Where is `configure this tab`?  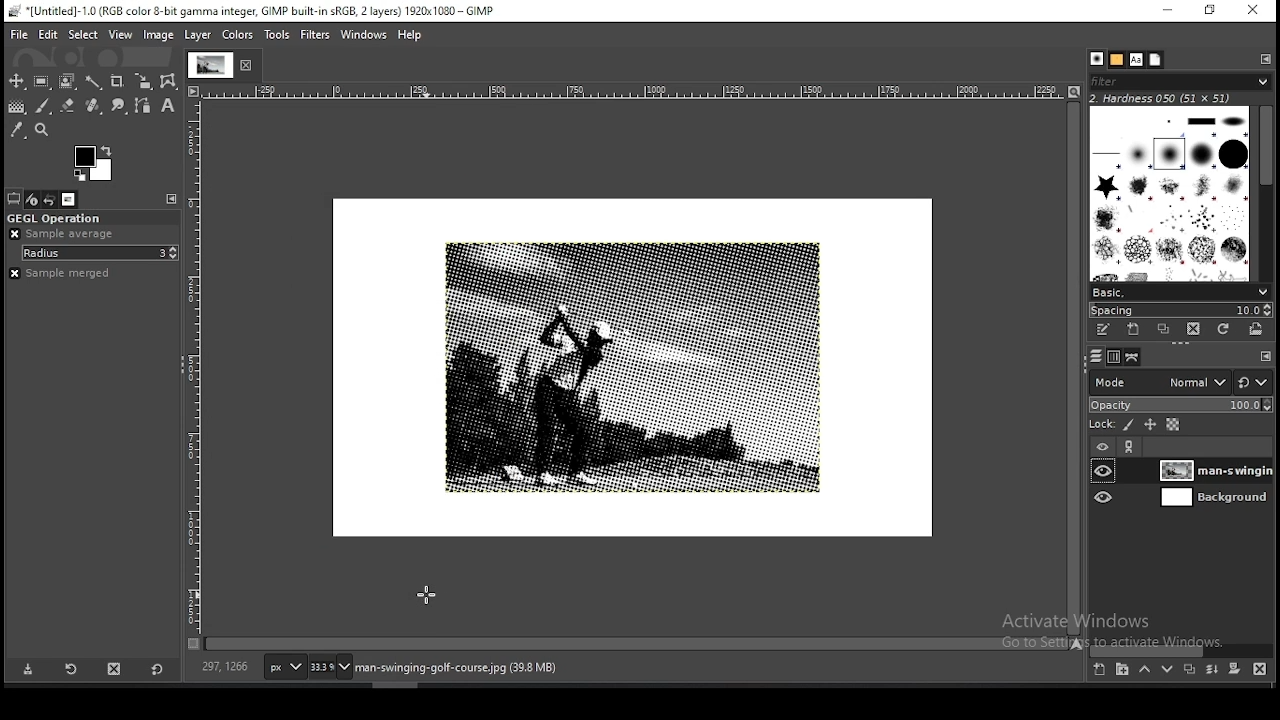 configure this tab is located at coordinates (174, 199).